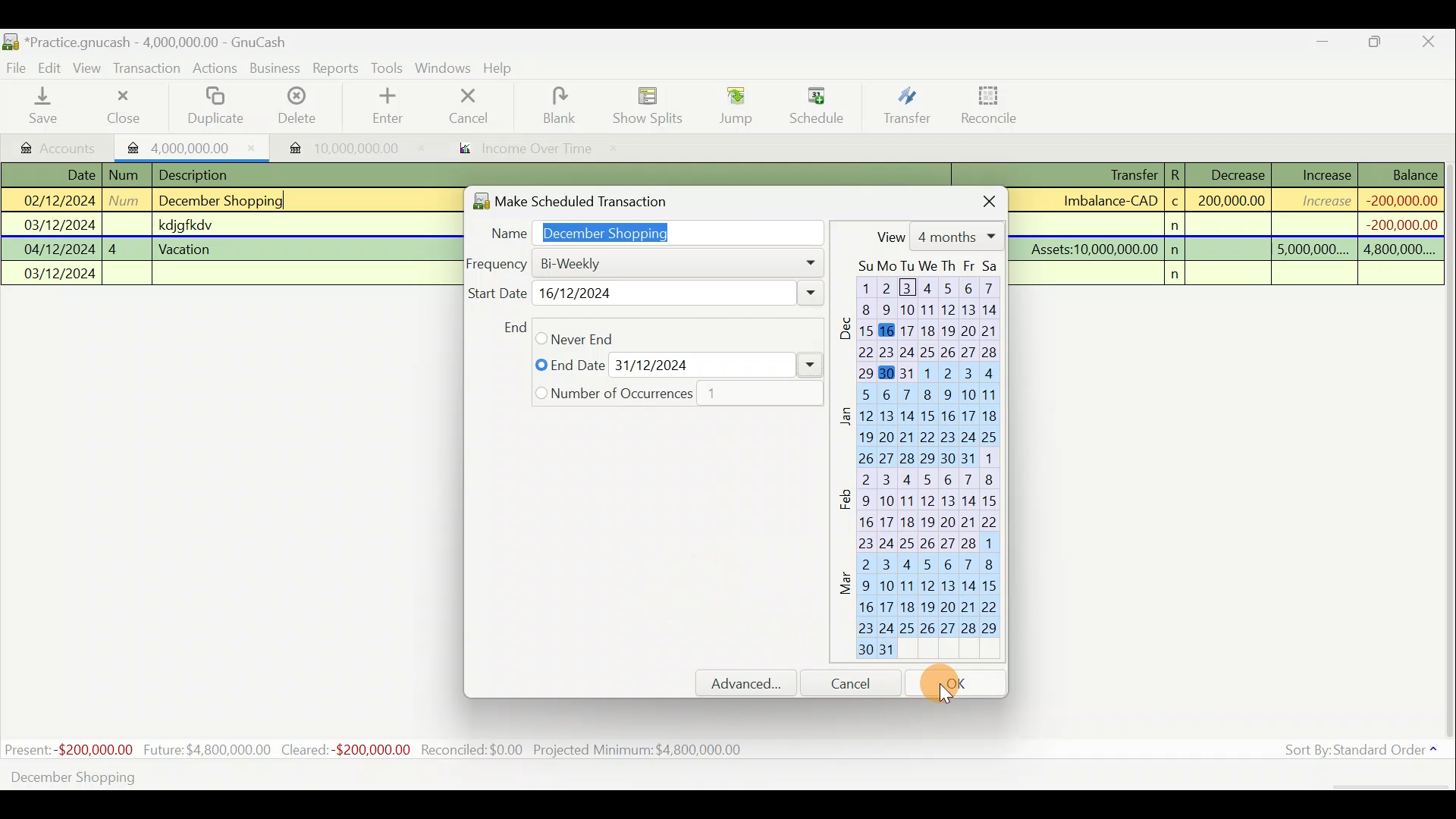 This screenshot has width=1456, height=819. I want to click on Name, so click(649, 230).